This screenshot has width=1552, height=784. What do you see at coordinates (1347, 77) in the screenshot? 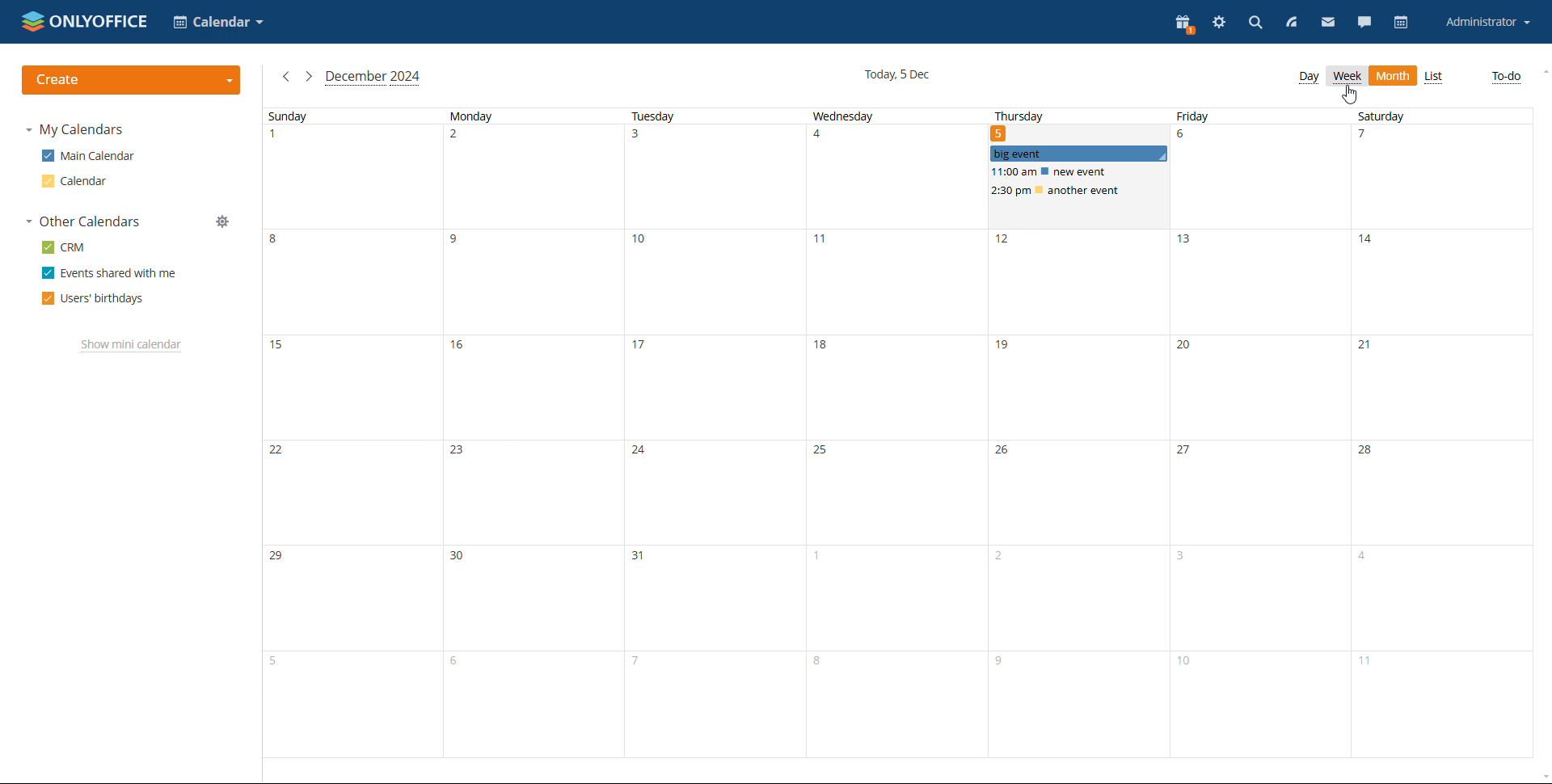
I see `week view` at bounding box center [1347, 77].